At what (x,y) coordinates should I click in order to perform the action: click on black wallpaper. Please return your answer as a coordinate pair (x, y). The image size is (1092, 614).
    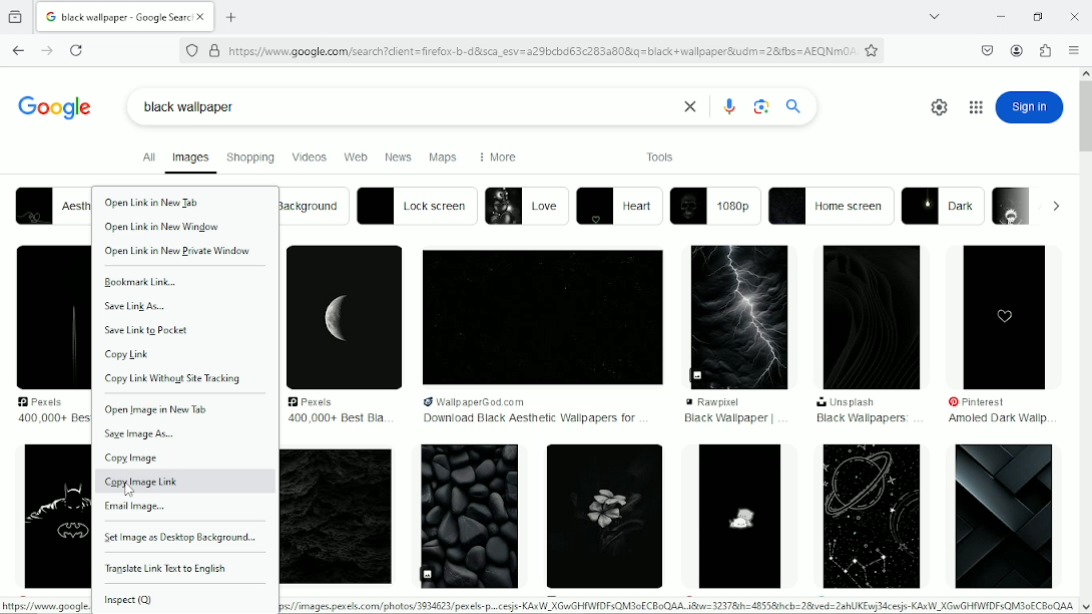
    Looking at the image, I should click on (728, 419).